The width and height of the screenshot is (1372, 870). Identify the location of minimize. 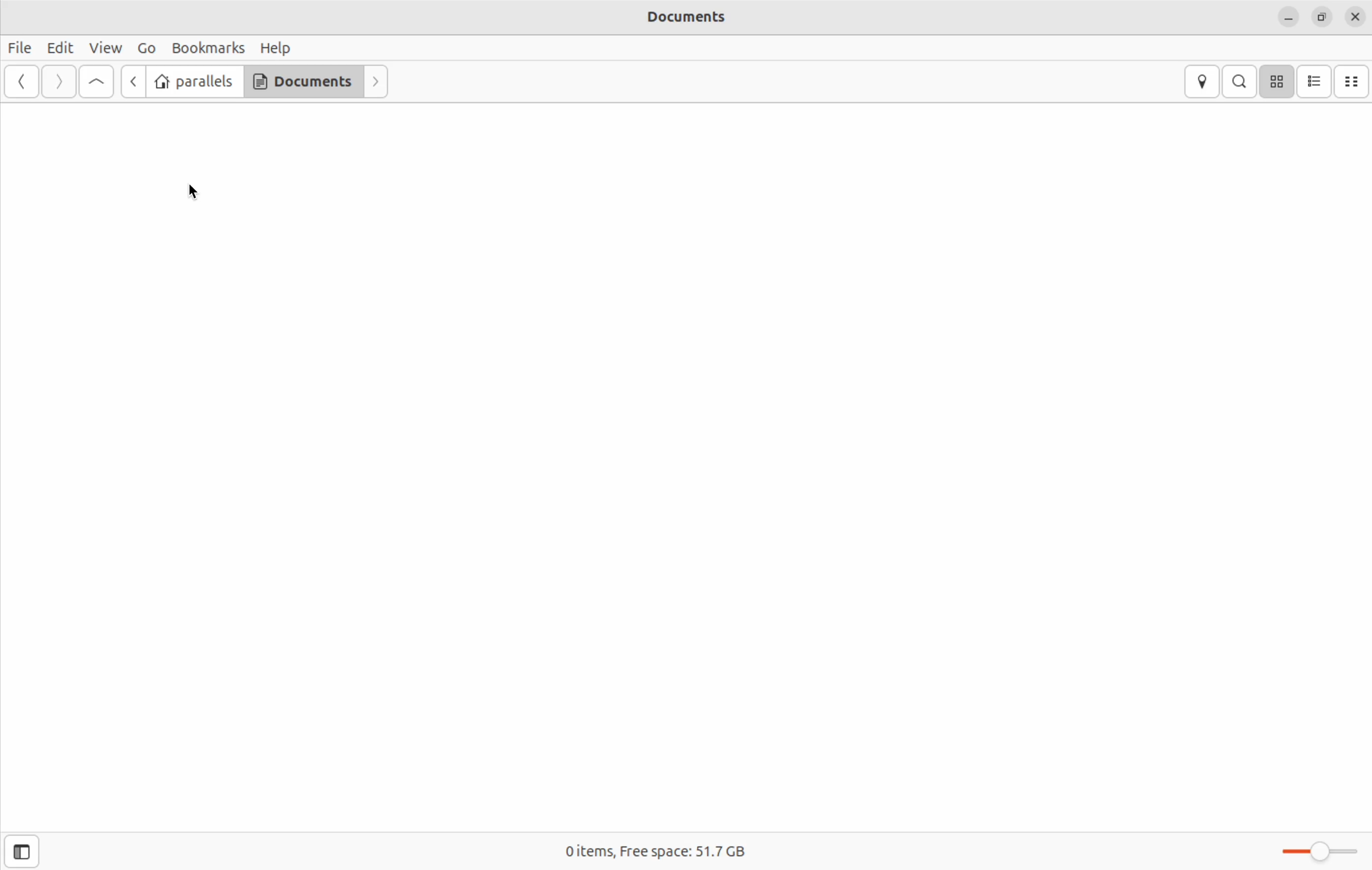
(1288, 16).